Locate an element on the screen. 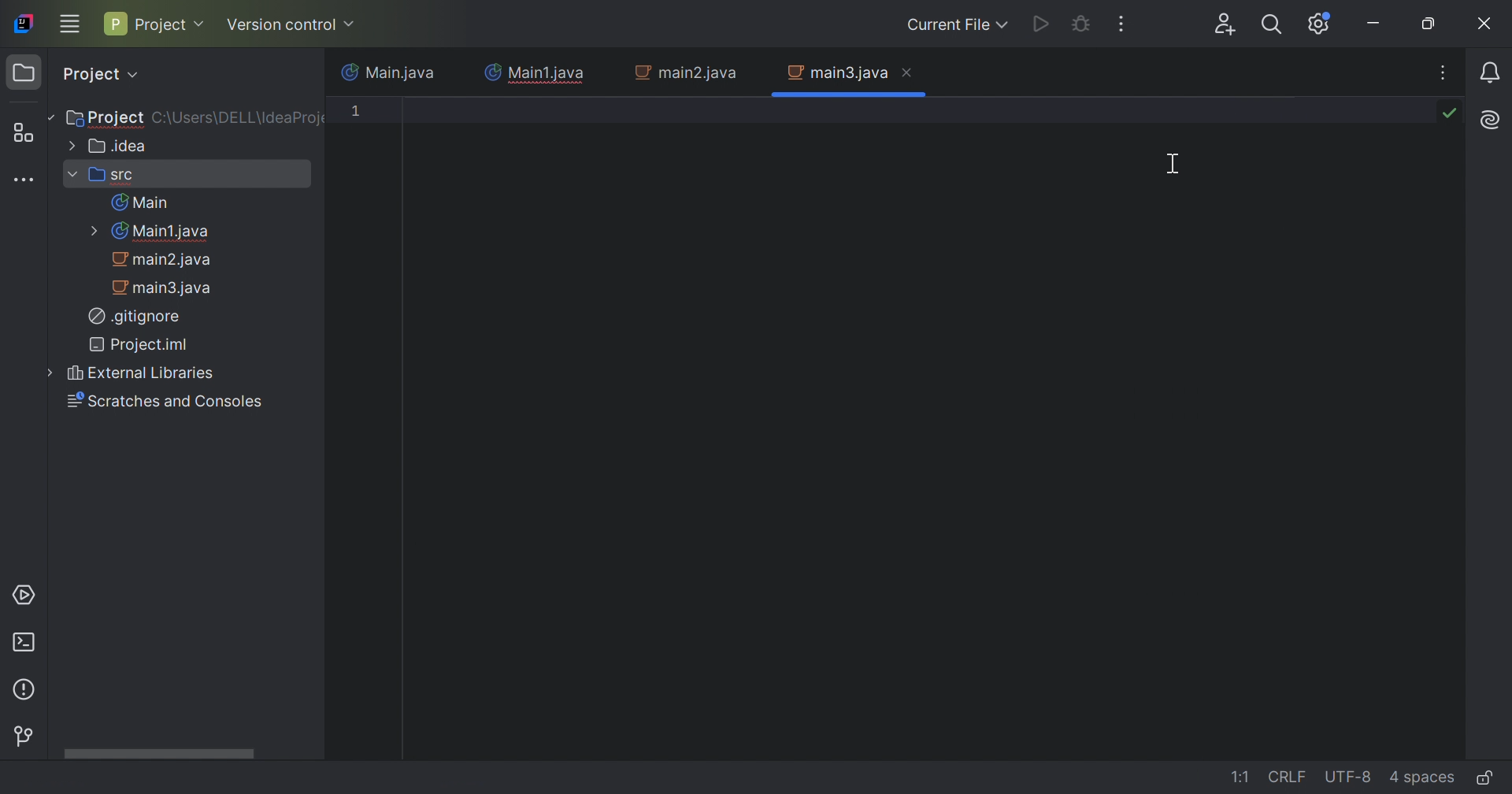 The width and height of the screenshot is (1512, 794). Scratches and Consoles is located at coordinates (161, 399).